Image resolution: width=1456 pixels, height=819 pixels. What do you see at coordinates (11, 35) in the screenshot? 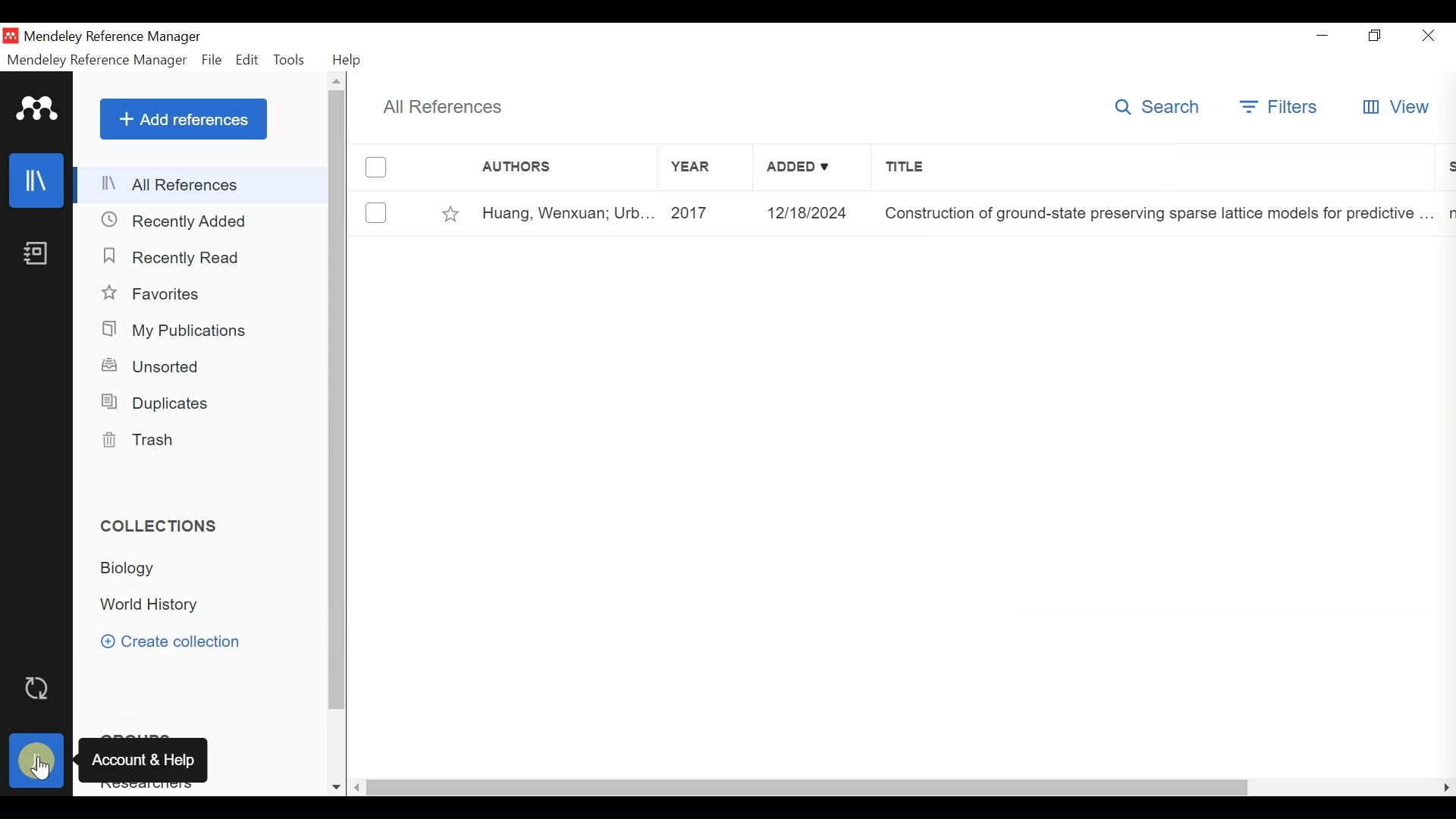
I see `Mendeley Desktop Icon` at bounding box center [11, 35].